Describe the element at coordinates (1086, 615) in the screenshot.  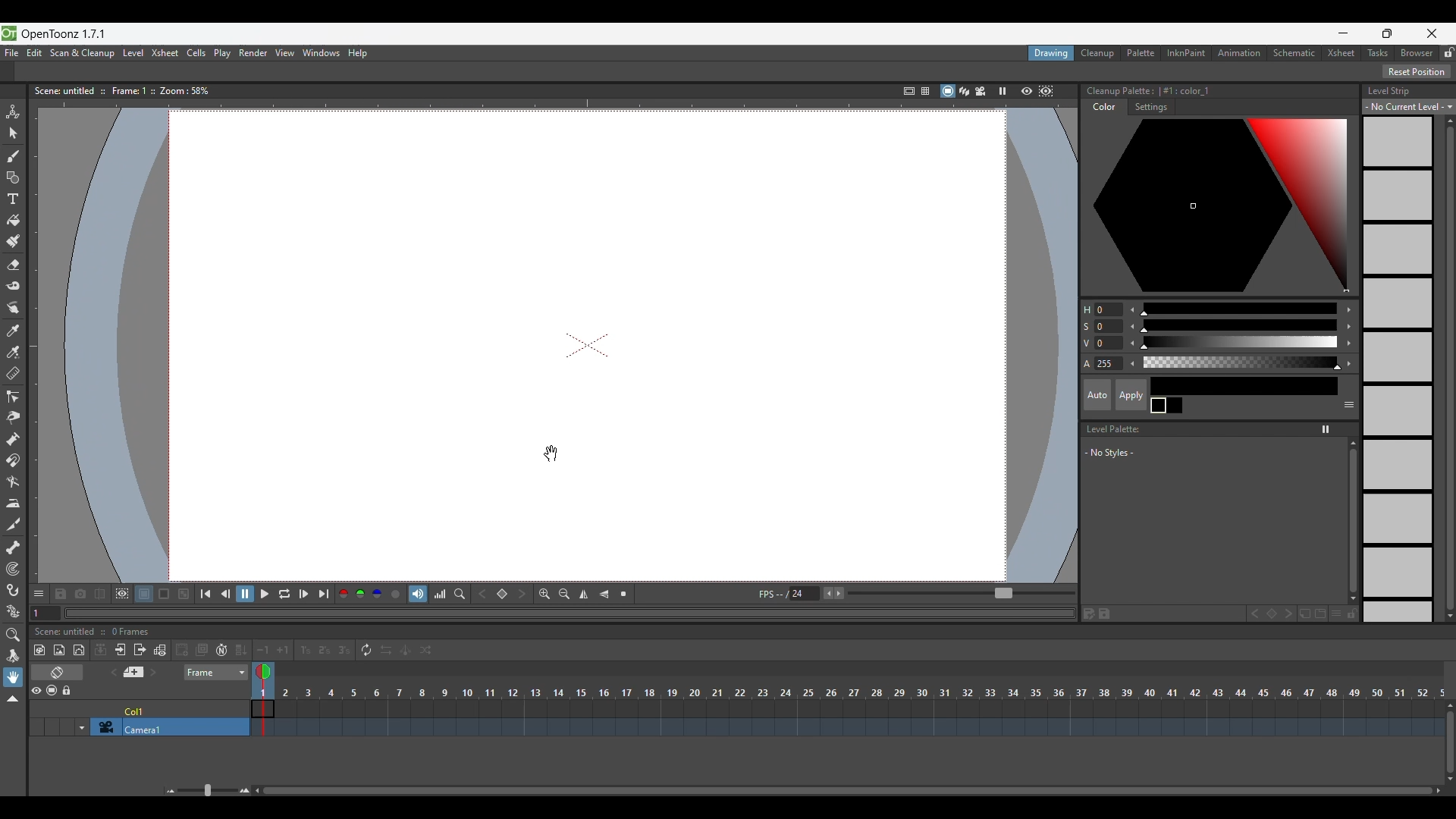
I see `Save palette as` at that location.